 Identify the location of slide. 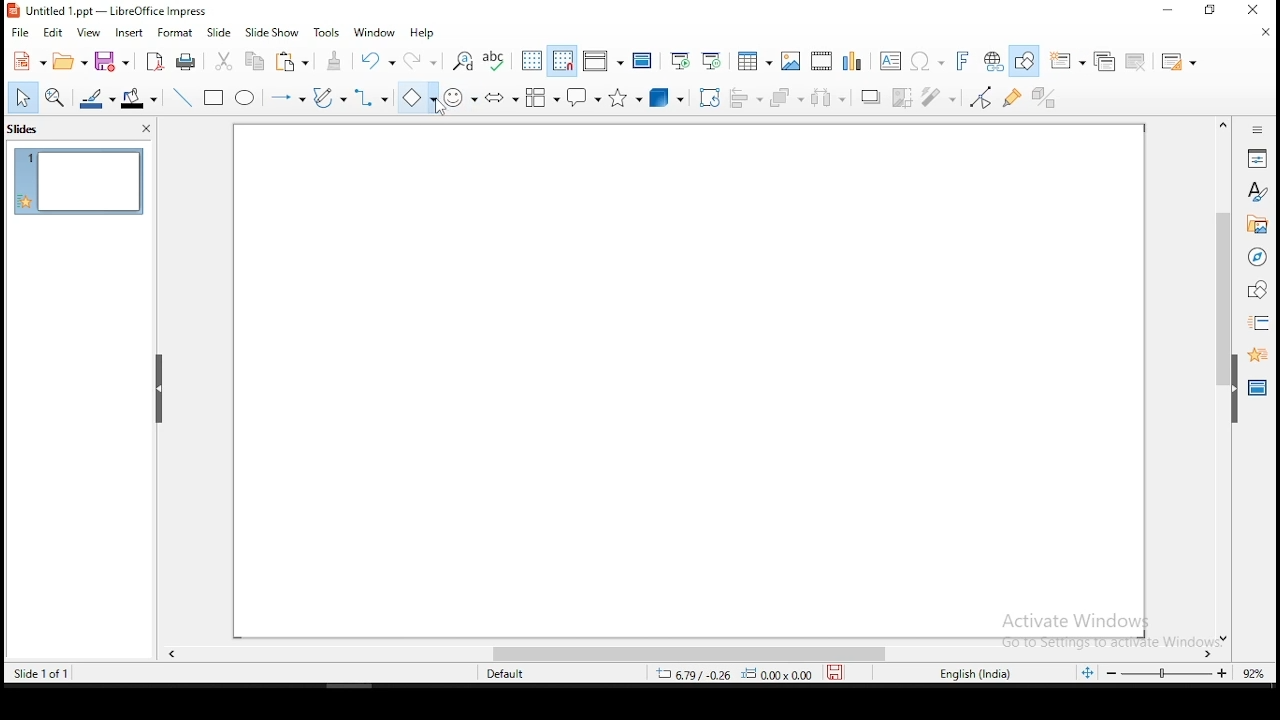
(78, 180).